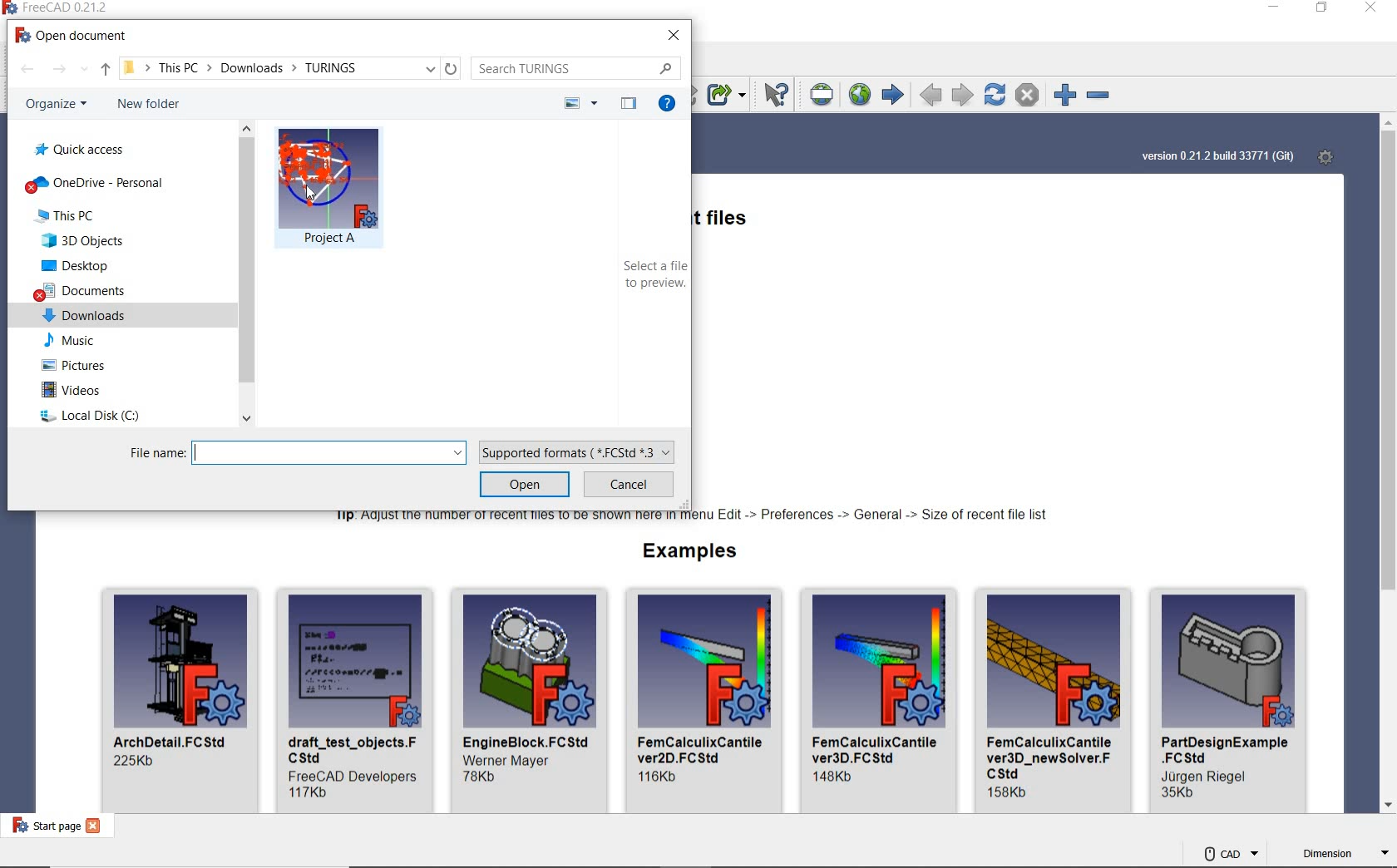 The width and height of the screenshot is (1397, 868). What do you see at coordinates (85, 316) in the screenshot?
I see `downloads` at bounding box center [85, 316].